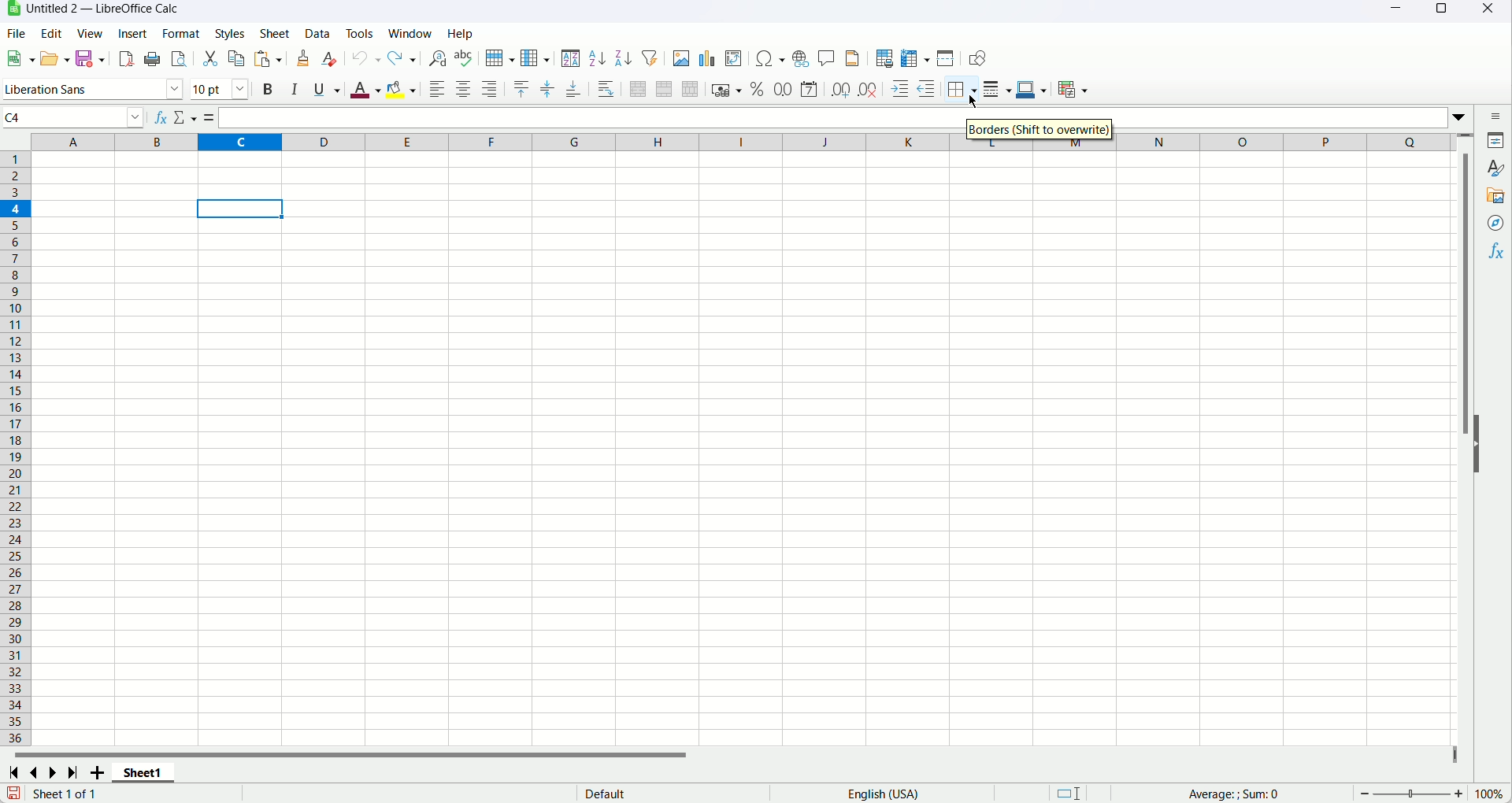 Image resolution: width=1512 pixels, height=803 pixels. What do you see at coordinates (1495, 168) in the screenshot?
I see `Styles` at bounding box center [1495, 168].